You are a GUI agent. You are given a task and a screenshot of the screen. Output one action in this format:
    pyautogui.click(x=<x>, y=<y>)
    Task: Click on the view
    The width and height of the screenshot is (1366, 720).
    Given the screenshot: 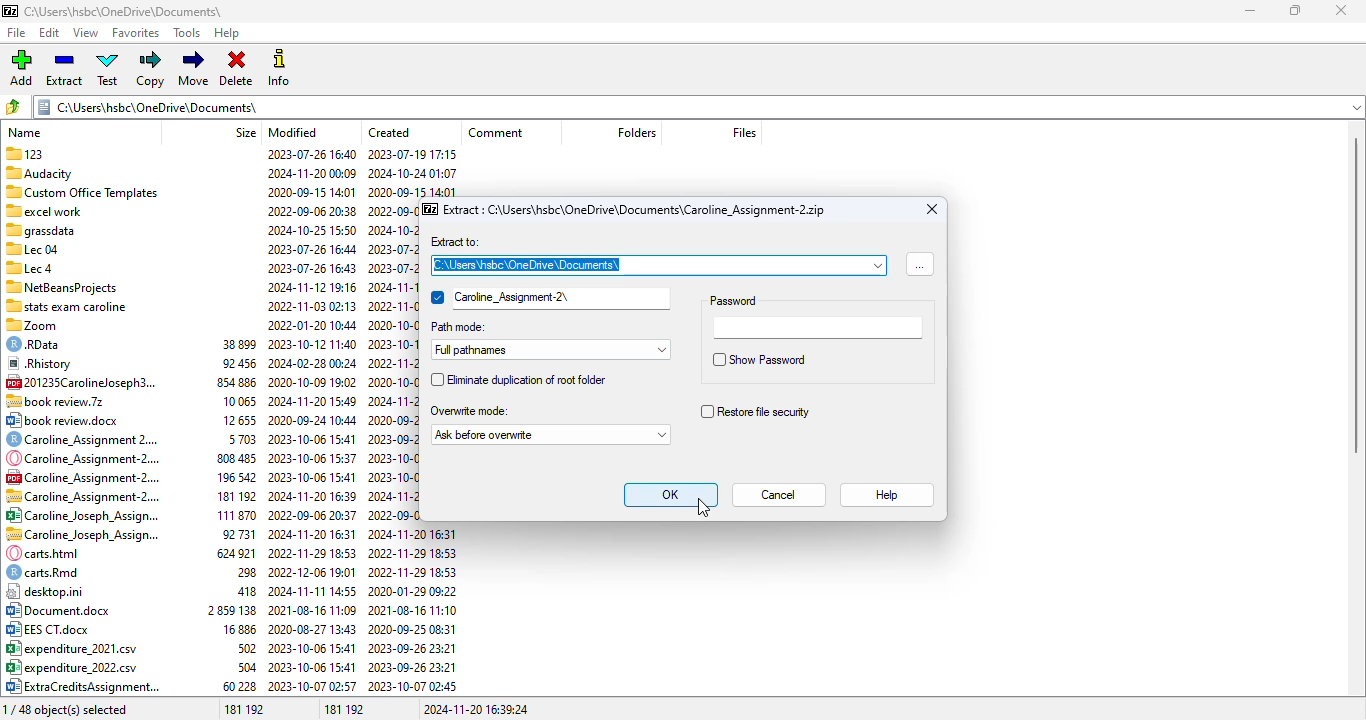 What is the action you would take?
    pyautogui.click(x=86, y=33)
    